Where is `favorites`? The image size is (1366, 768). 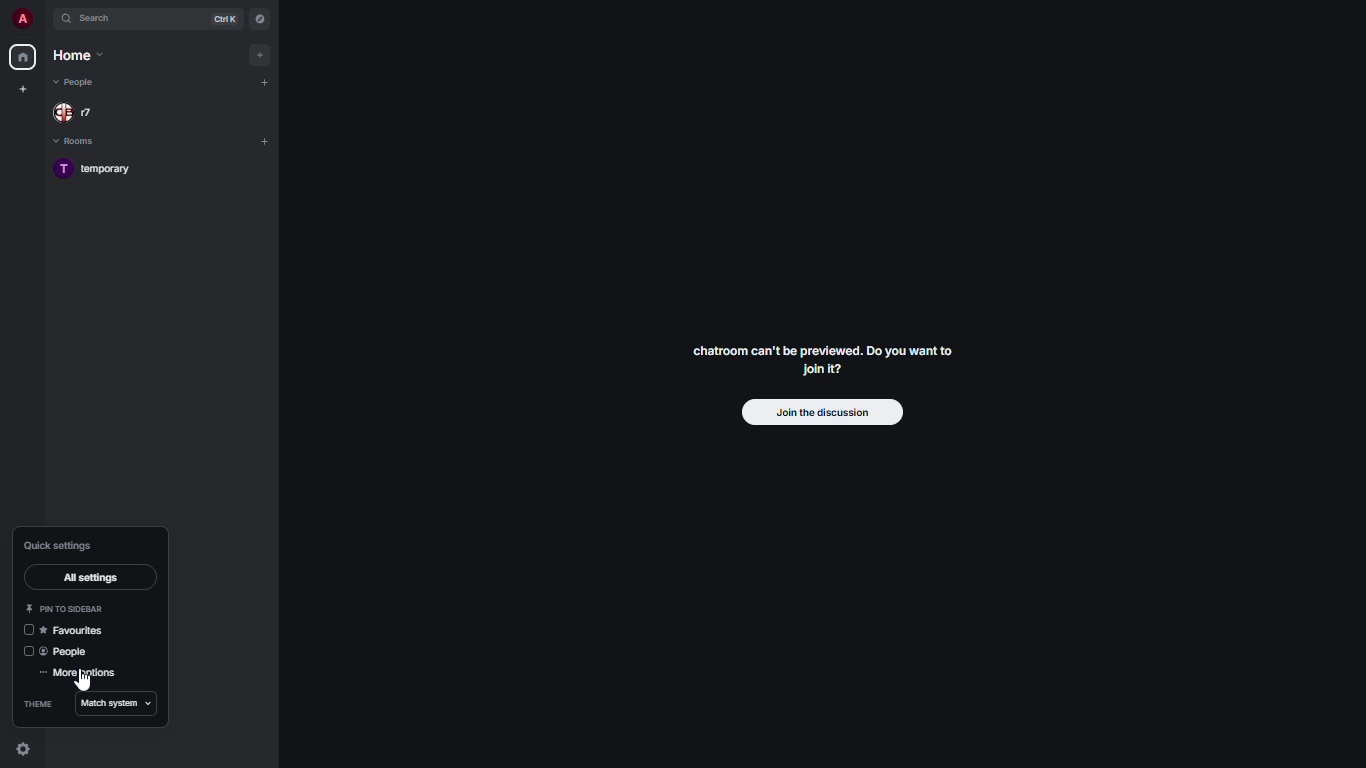
favorites is located at coordinates (75, 629).